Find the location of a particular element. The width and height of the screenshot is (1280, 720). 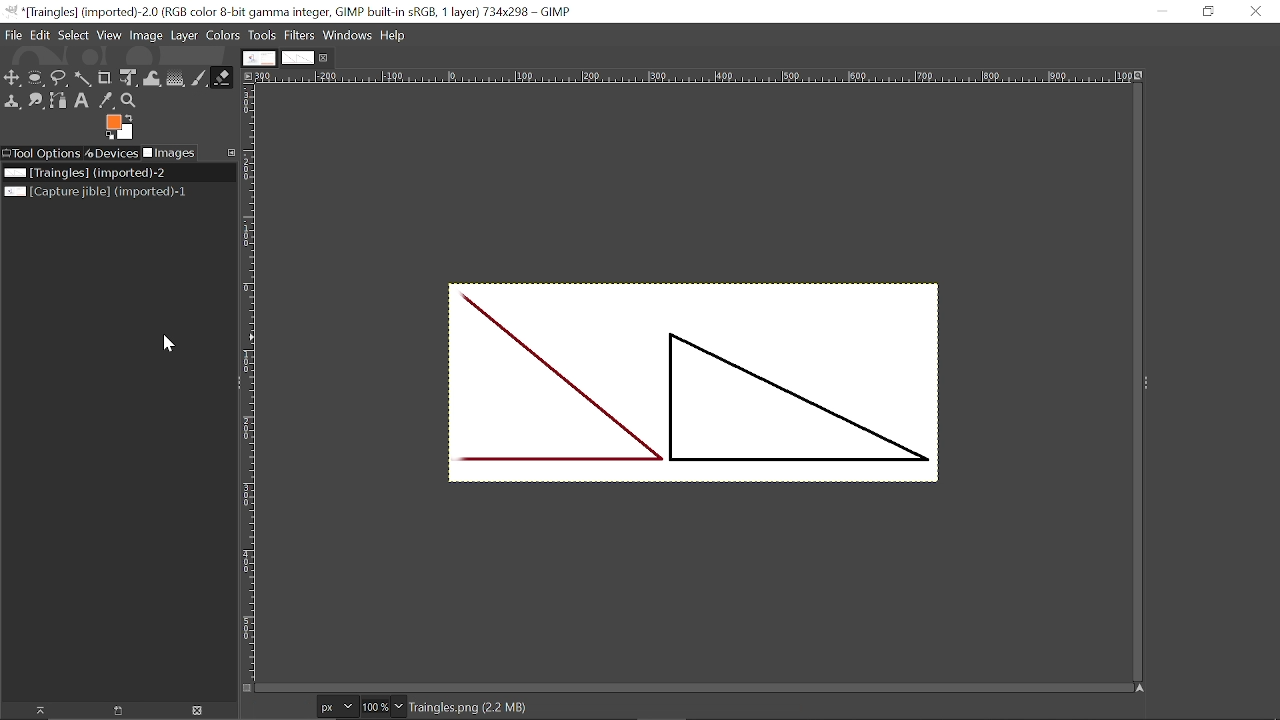

Toggle quick mask on/off is located at coordinates (247, 688).